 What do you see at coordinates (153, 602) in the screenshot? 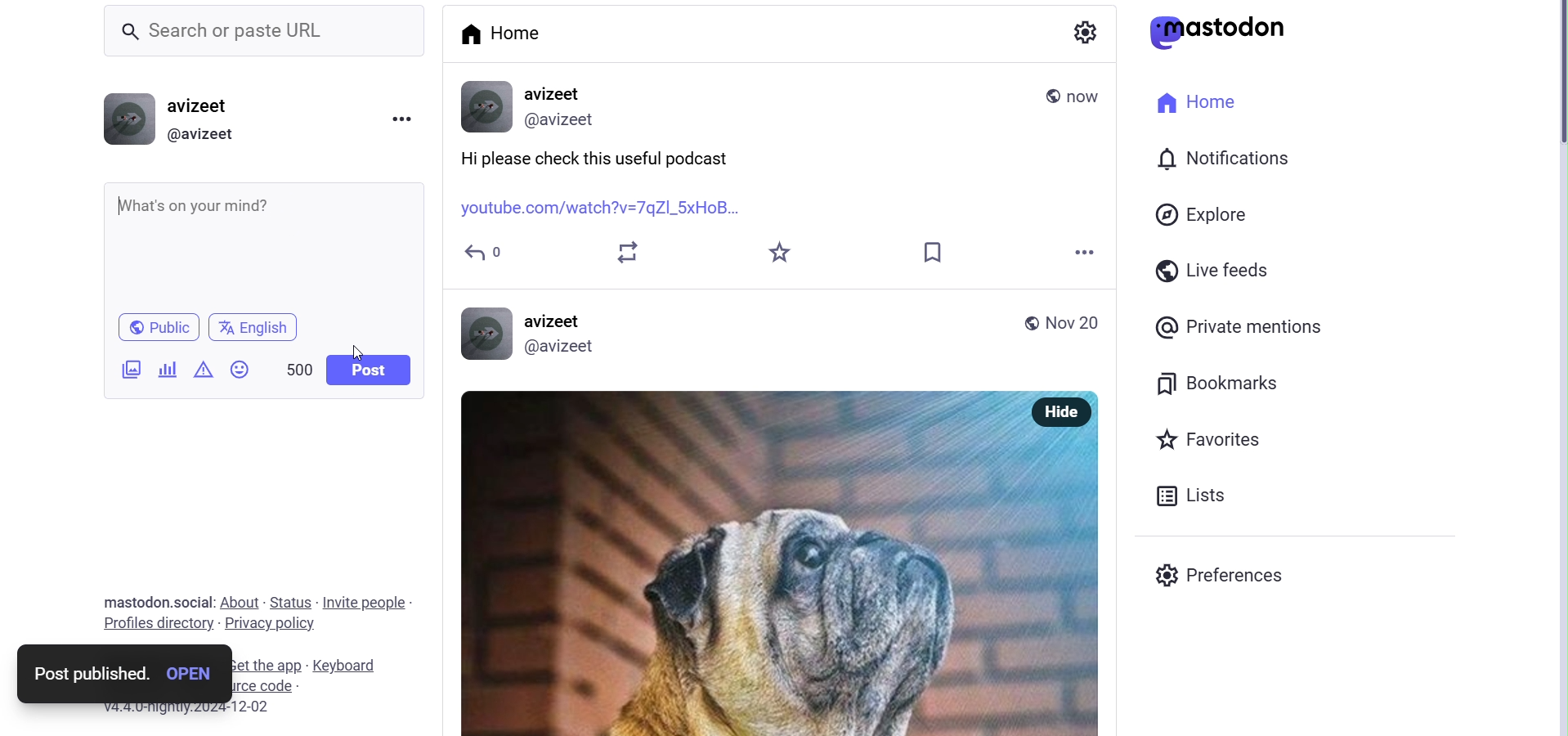
I see `mastodon social` at bounding box center [153, 602].